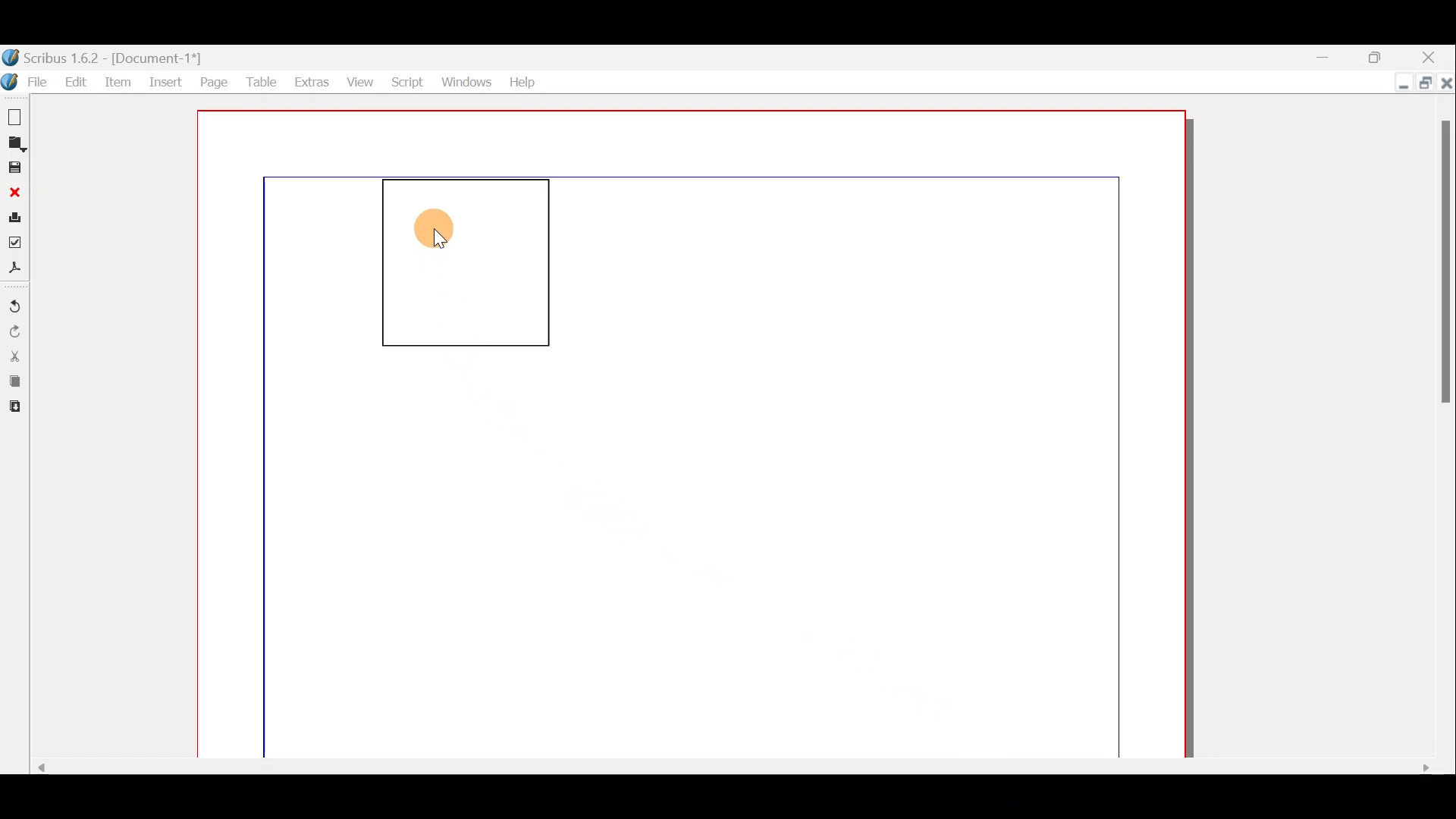  Describe the element at coordinates (14, 220) in the screenshot. I see `Print` at that location.